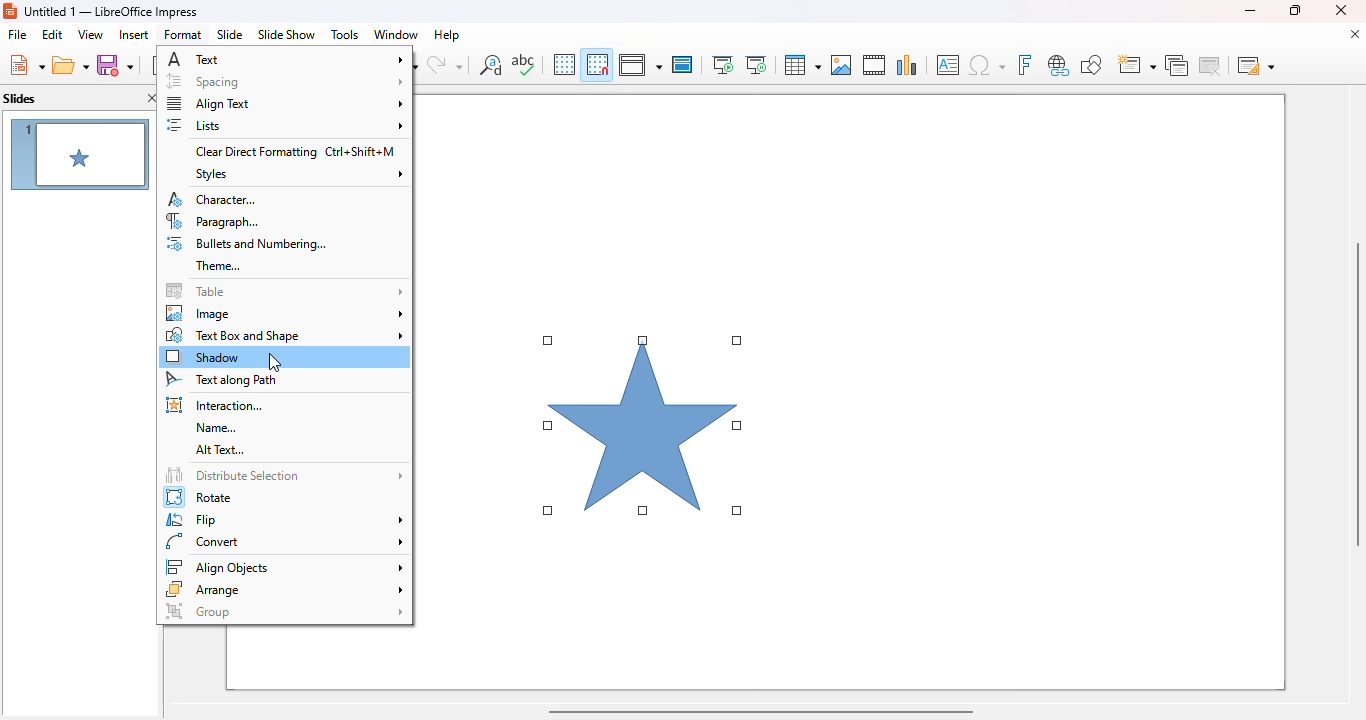 This screenshot has height=720, width=1366. I want to click on window, so click(395, 34).